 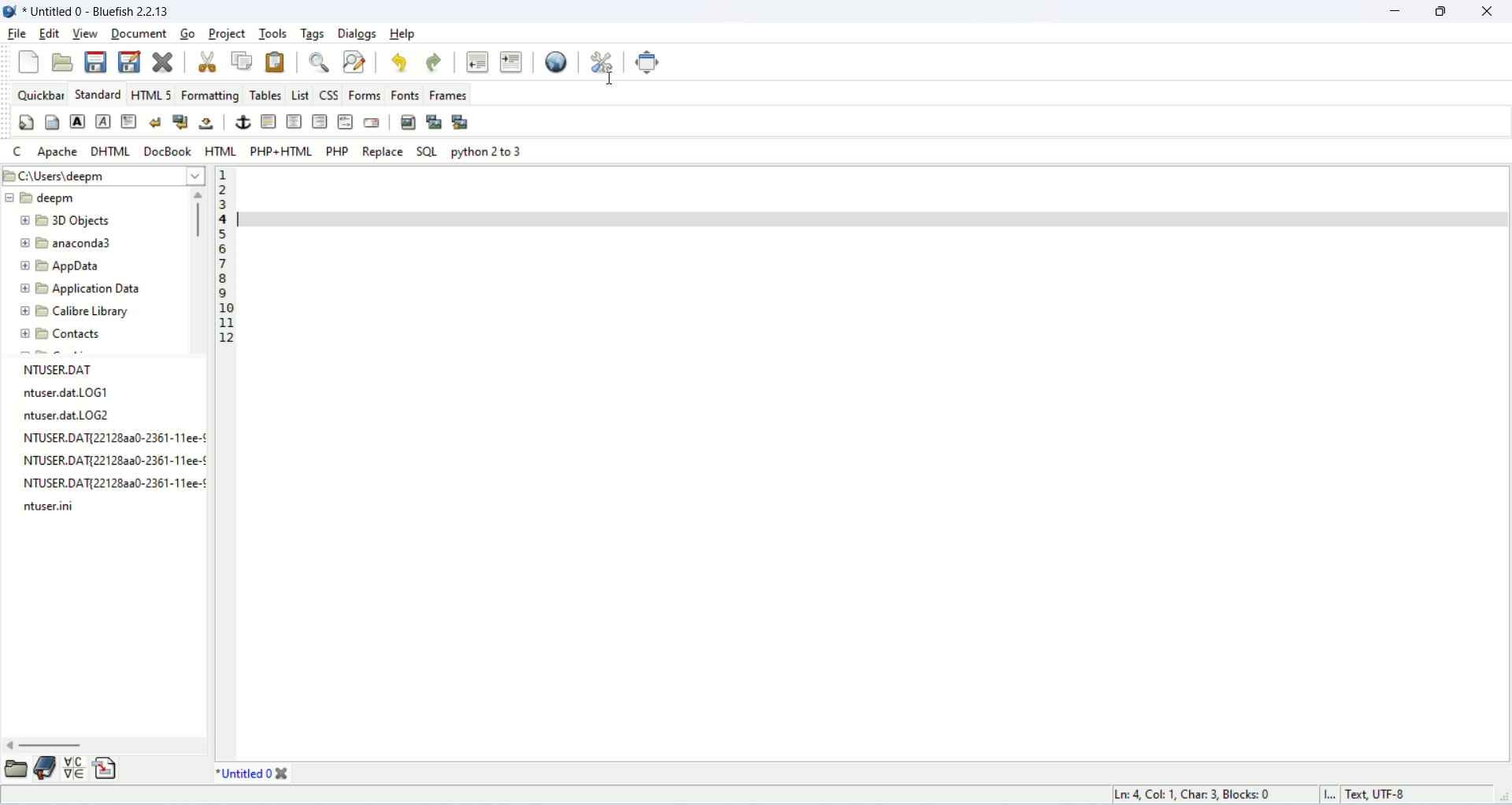 I want to click on NTUSER.DAT{22128AA0-2361-11EE-, so click(x=118, y=439).